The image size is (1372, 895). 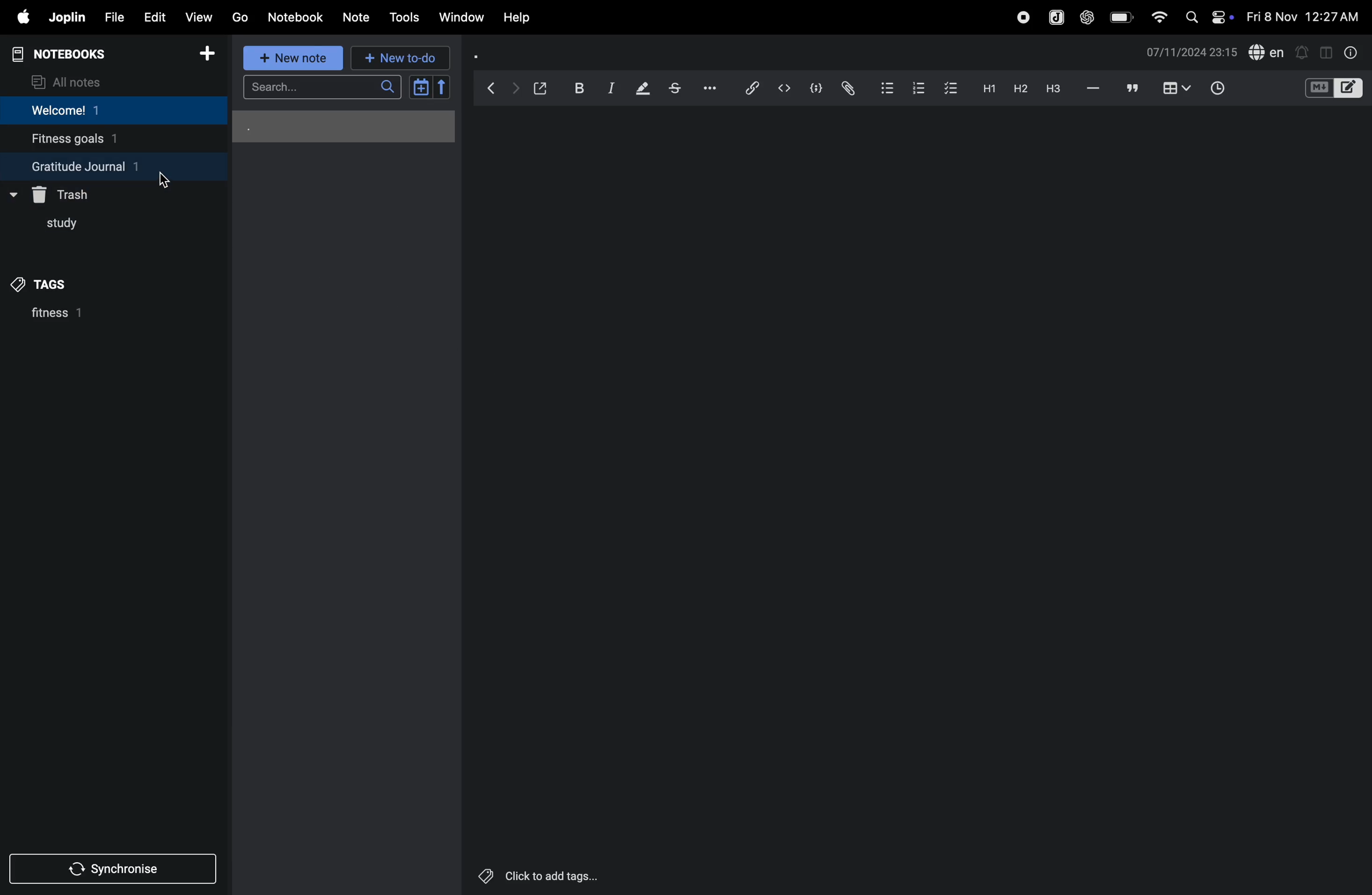 I want to click on add notebook, so click(x=202, y=54).